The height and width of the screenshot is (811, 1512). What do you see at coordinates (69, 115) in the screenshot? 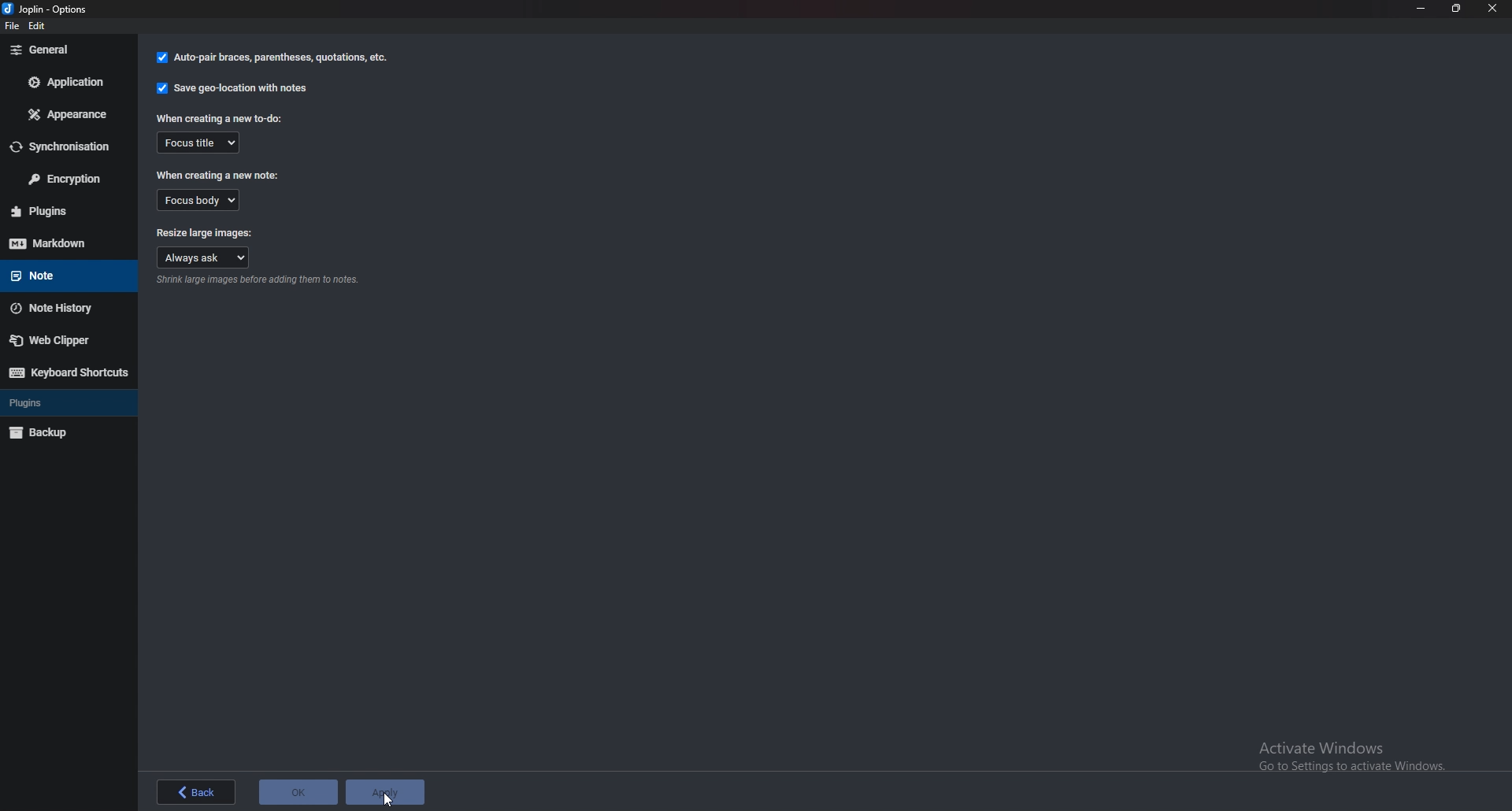
I see `appearance` at bounding box center [69, 115].